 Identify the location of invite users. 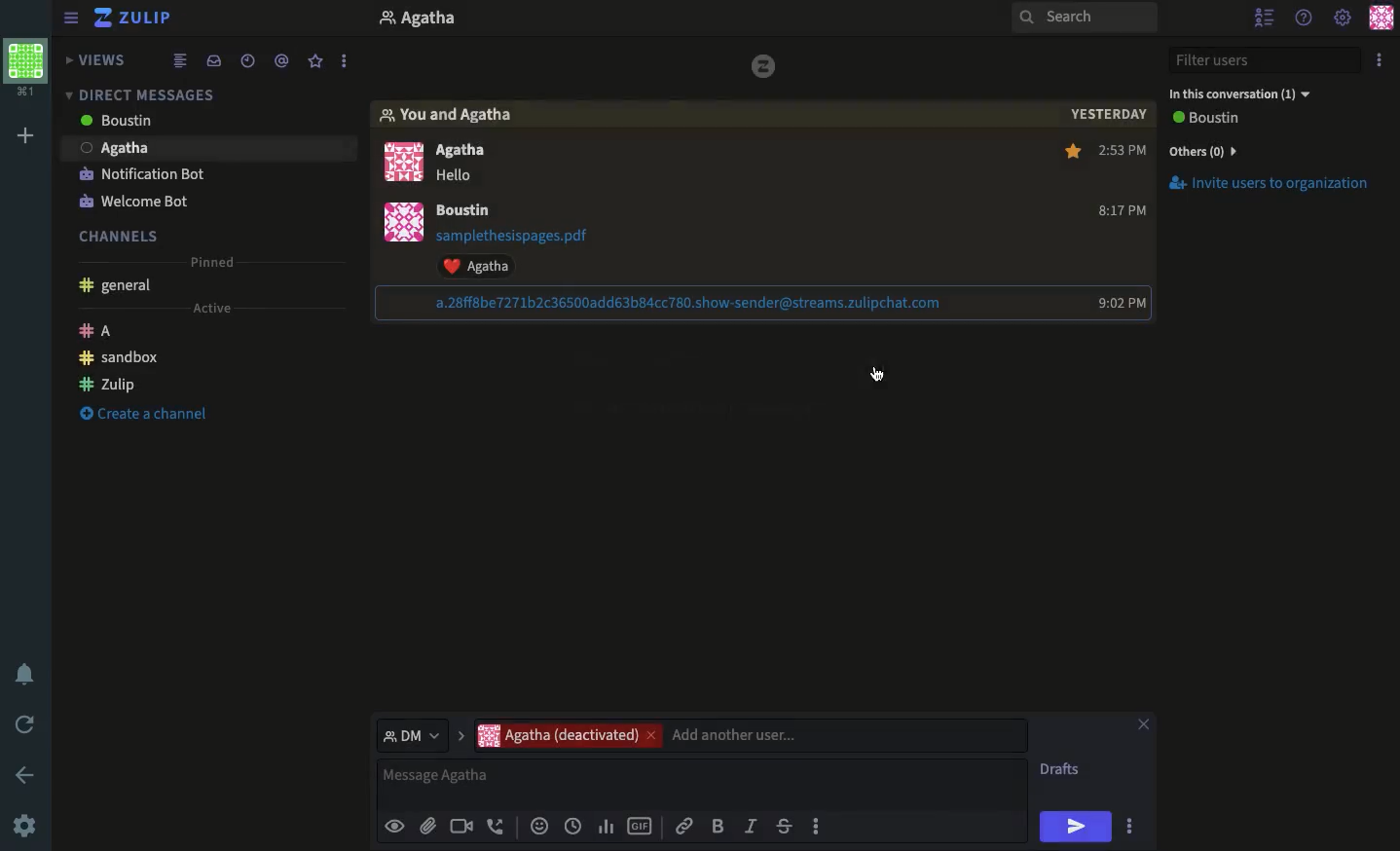
(1274, 191).